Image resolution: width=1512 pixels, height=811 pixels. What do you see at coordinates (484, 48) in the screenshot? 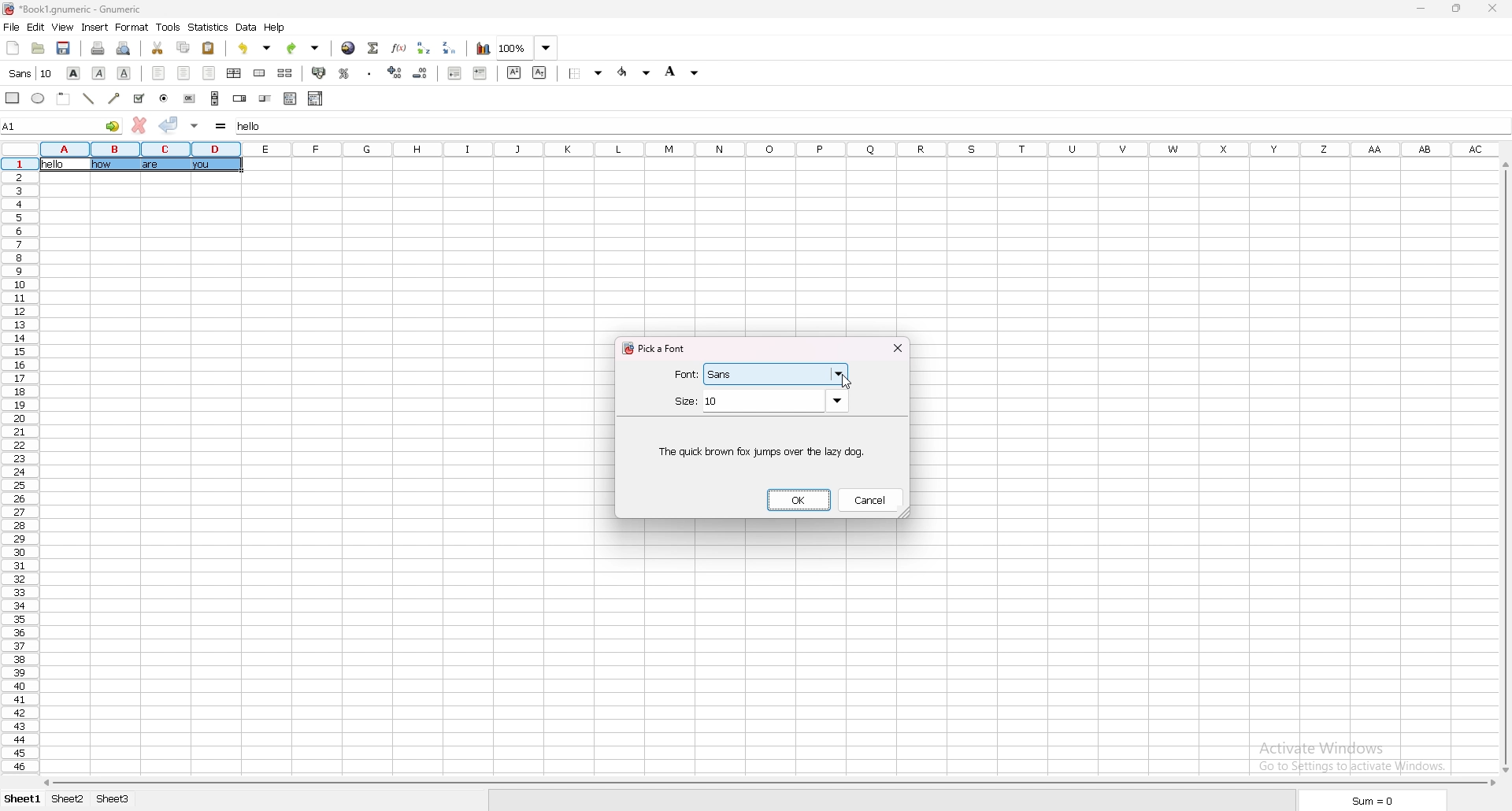
I see `chart` at bounding box center [484, 48].